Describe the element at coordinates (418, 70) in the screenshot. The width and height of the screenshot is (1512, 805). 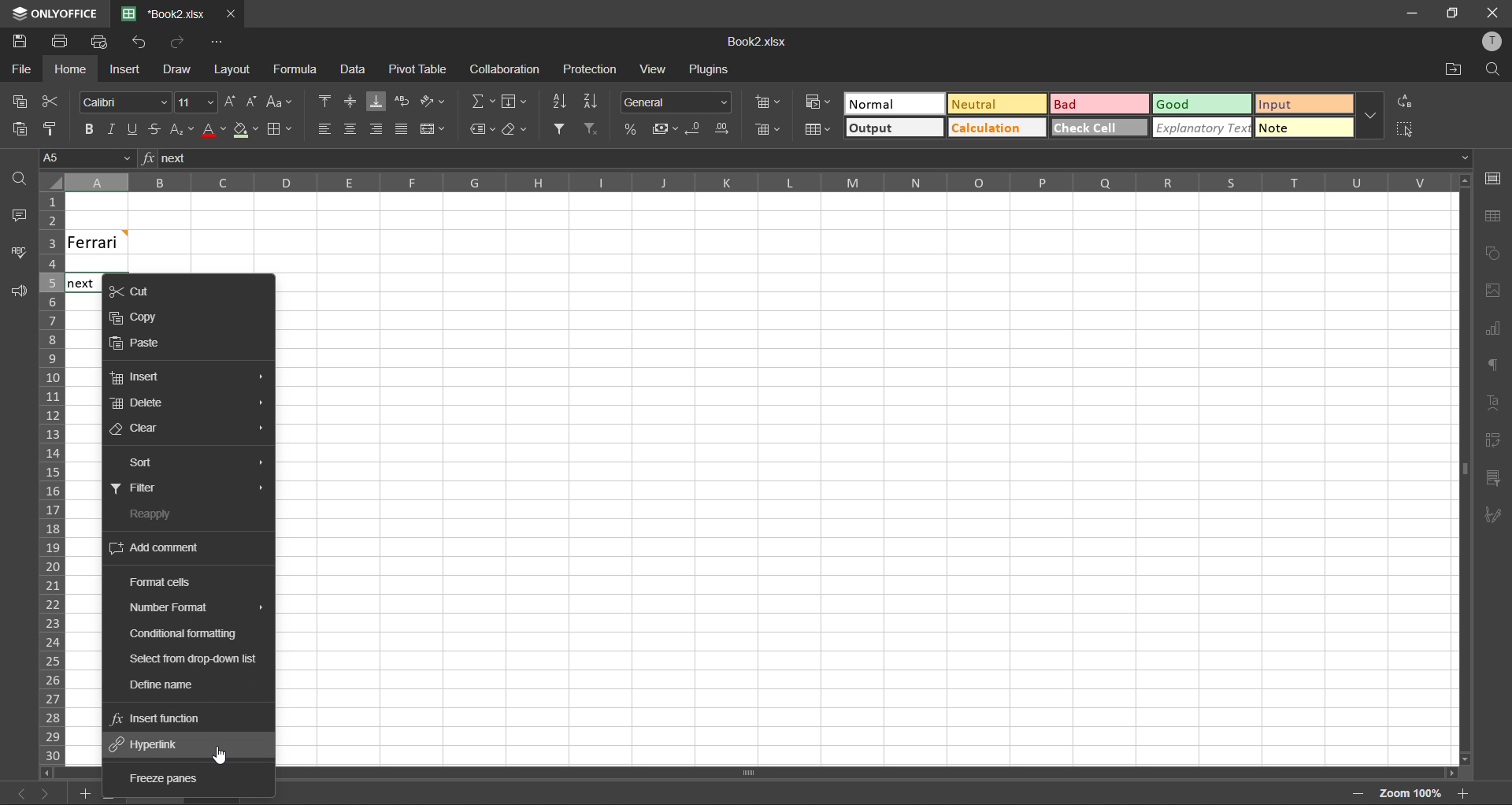
I see `pivot table` at that location.